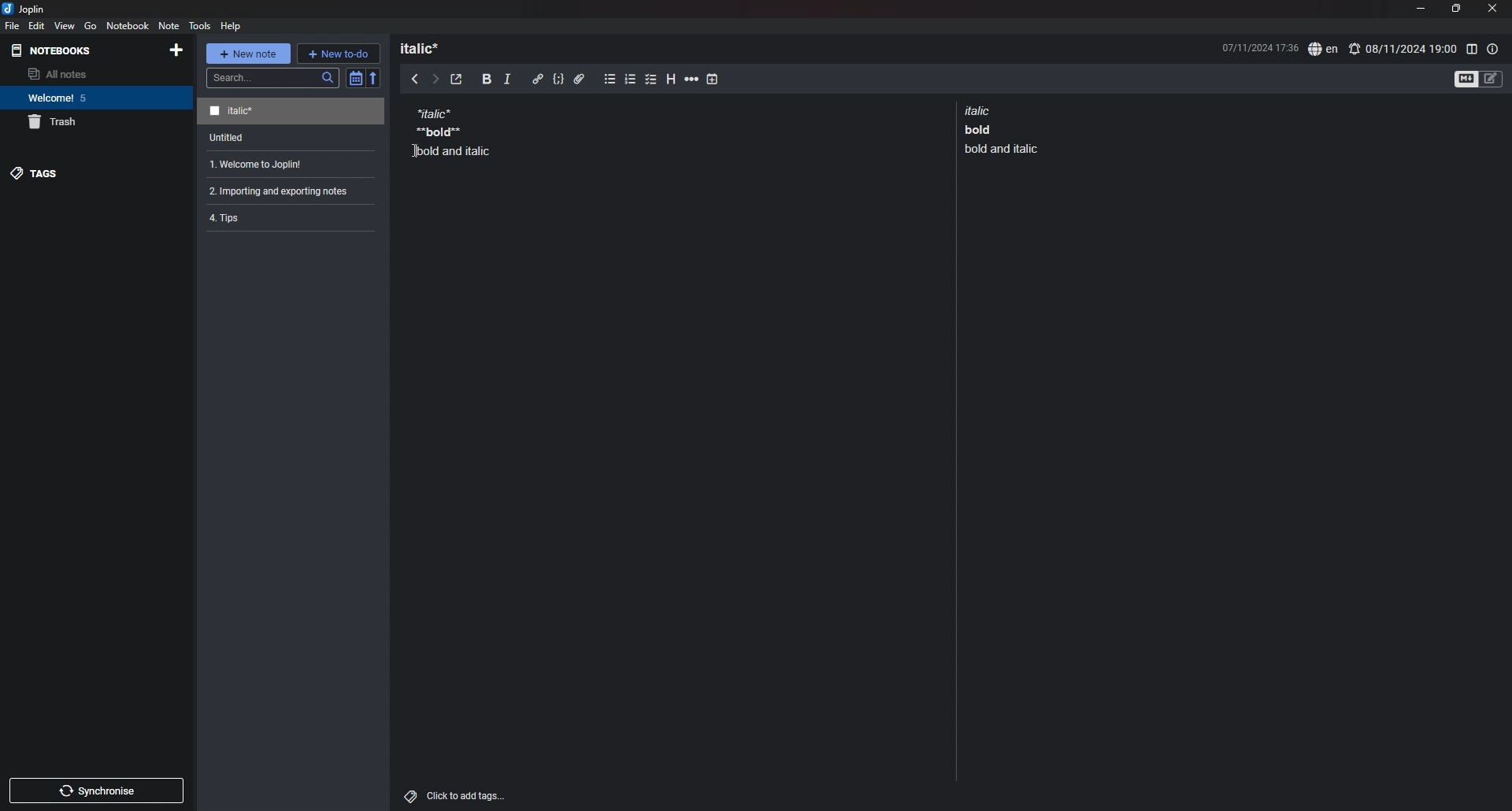 The image size is (1512, 811). I want to click on note, so click(285, 217).